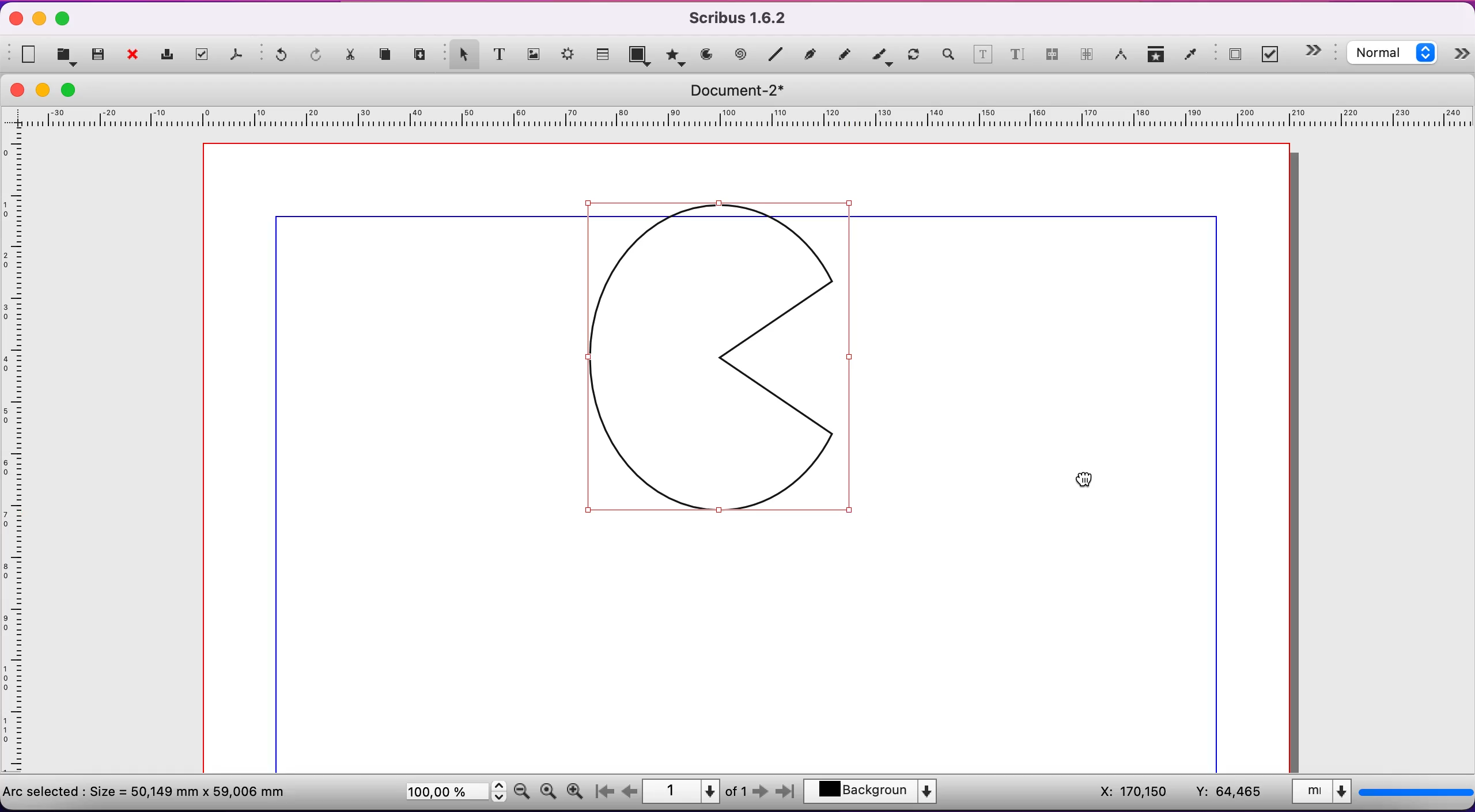 This screenshot has height=812, width=1475. I want to click on title, so click(745, 90).